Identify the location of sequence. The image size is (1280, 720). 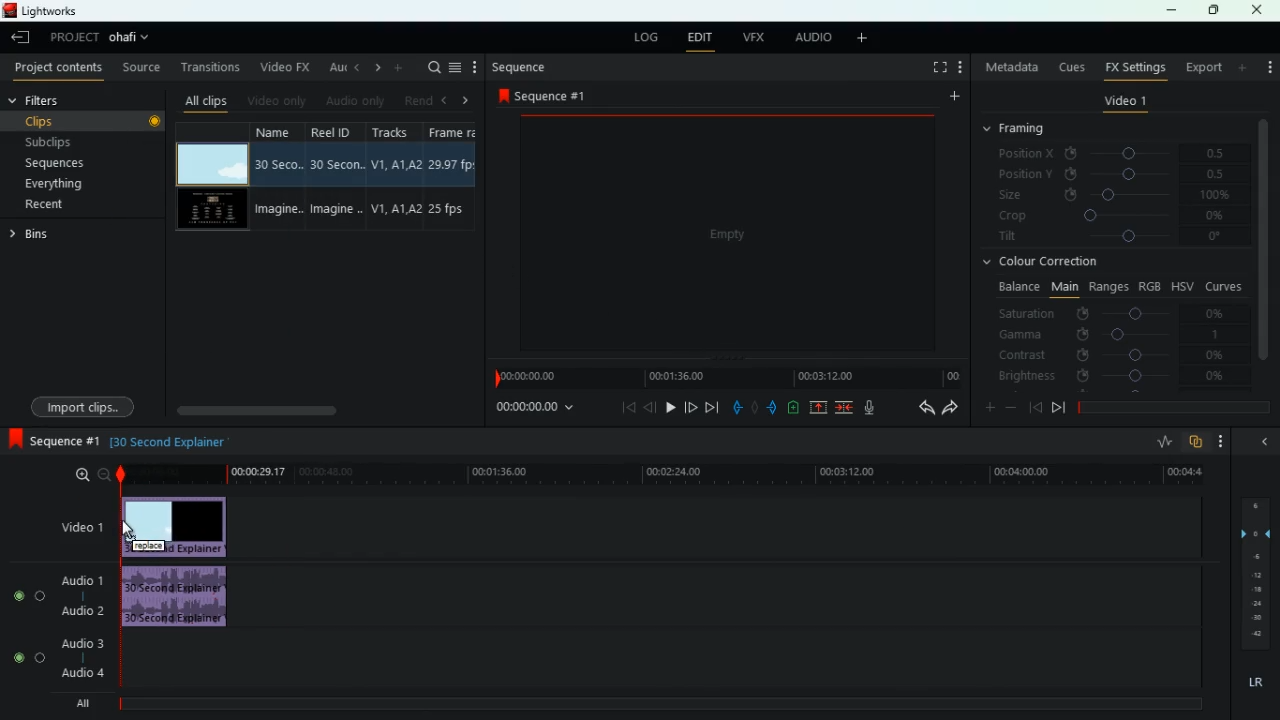
(548, 95).